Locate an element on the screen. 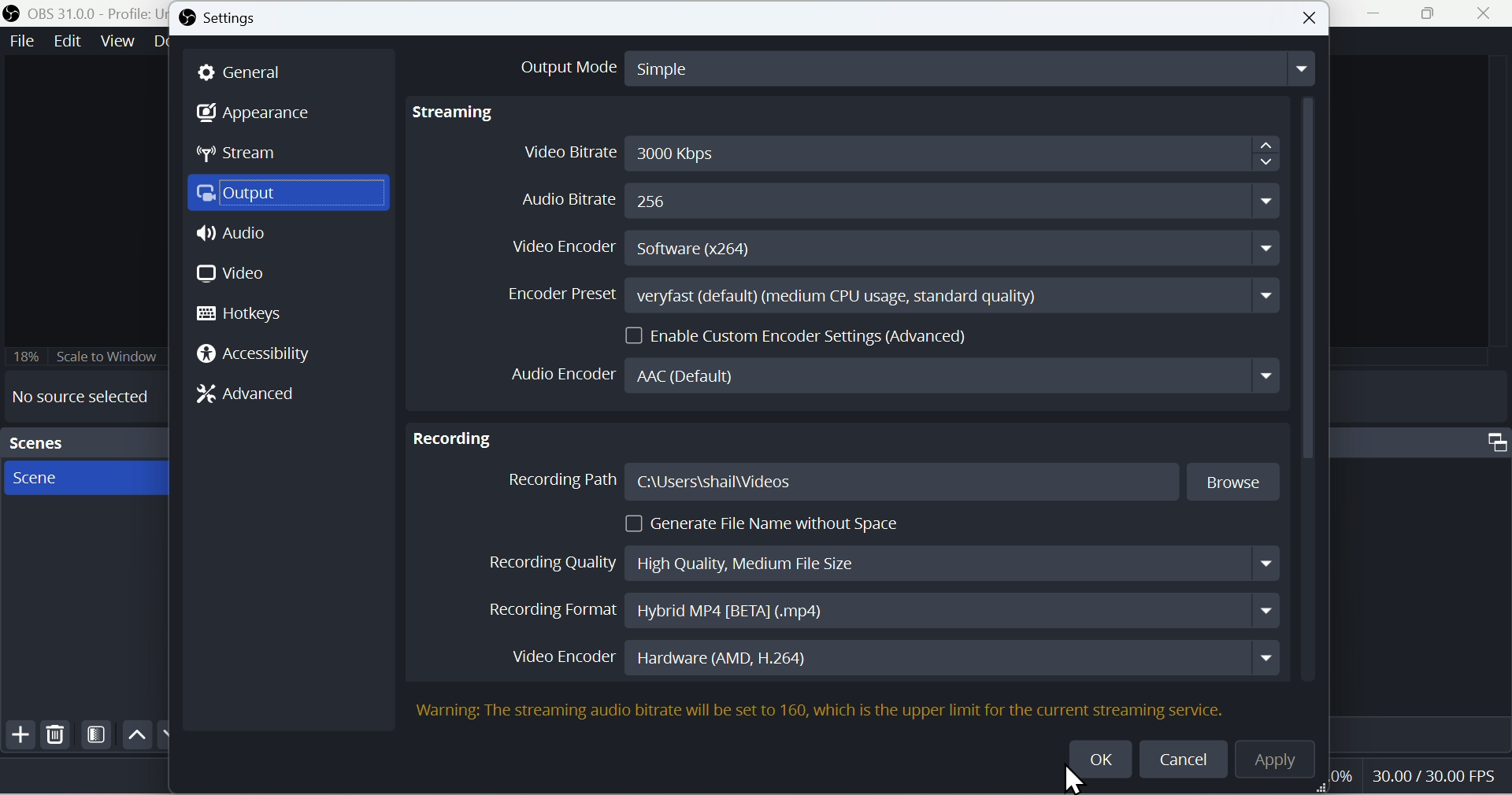 Image resolution: width=1512 pixels, height=795 pixels. minimise is located at coordinates (1380, 15).